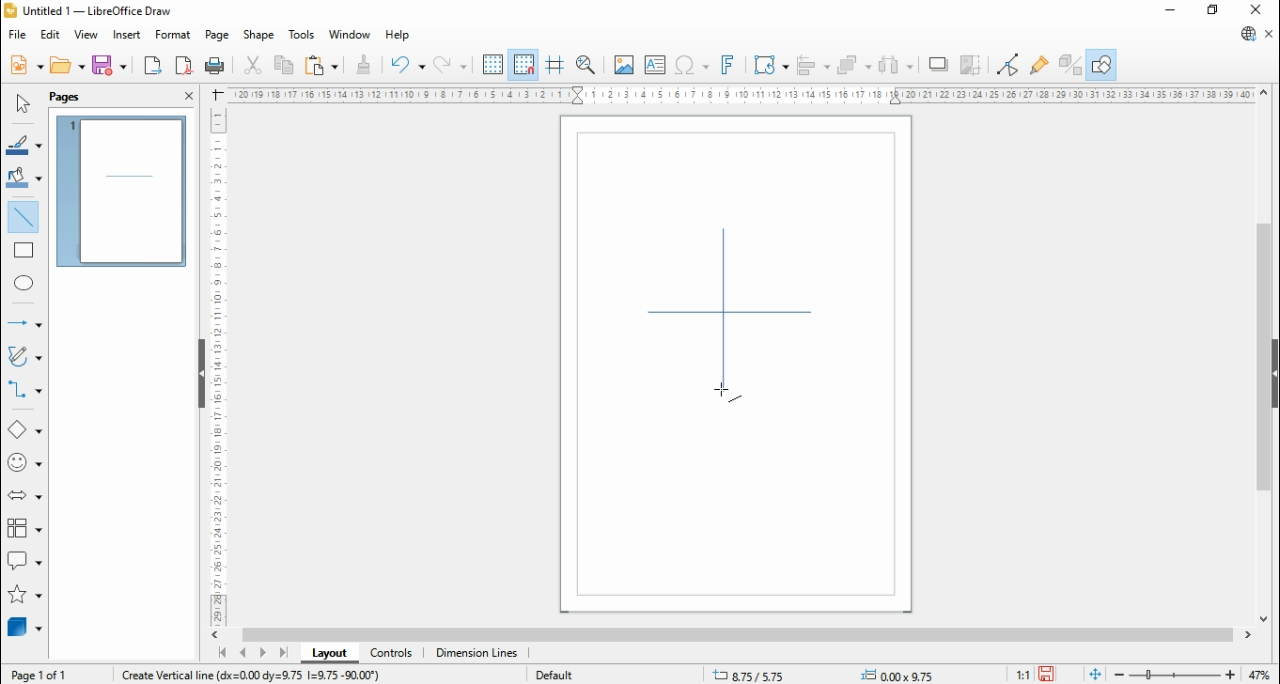  Describe the element at coordinates (26, 355) in the screenshot. I see `curves and polygons` at that location.